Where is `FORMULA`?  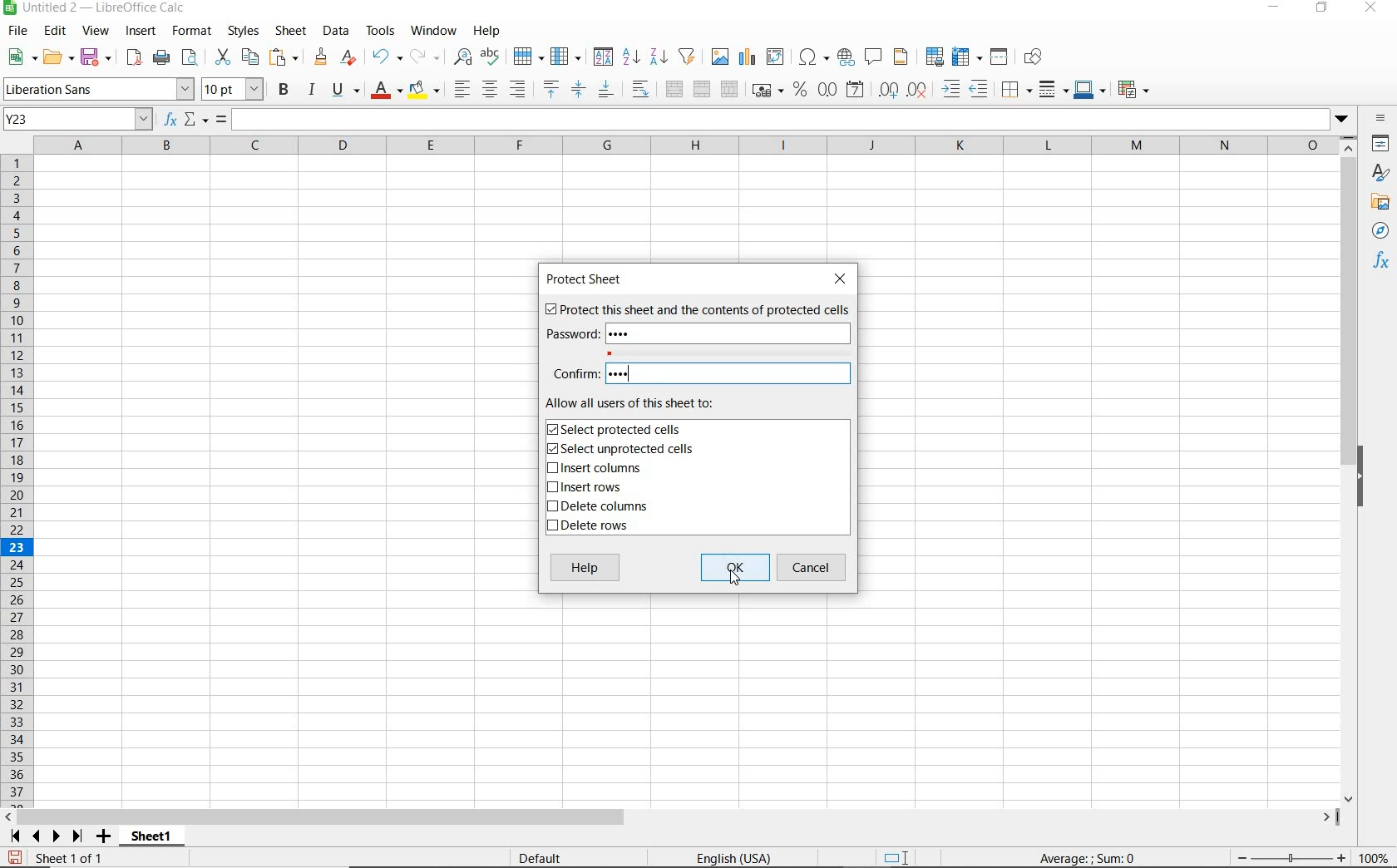
FORMULA is located at coordinates (1088, 859).